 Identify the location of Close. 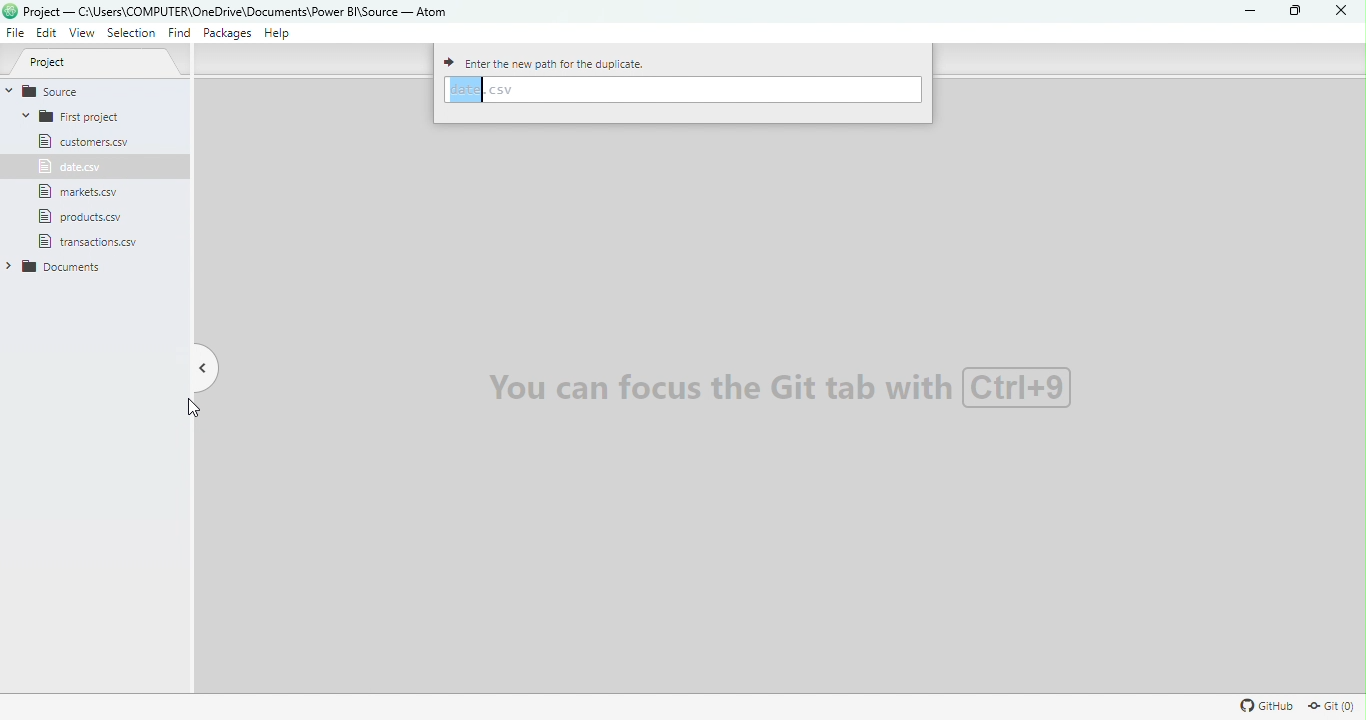
(1336, 11).